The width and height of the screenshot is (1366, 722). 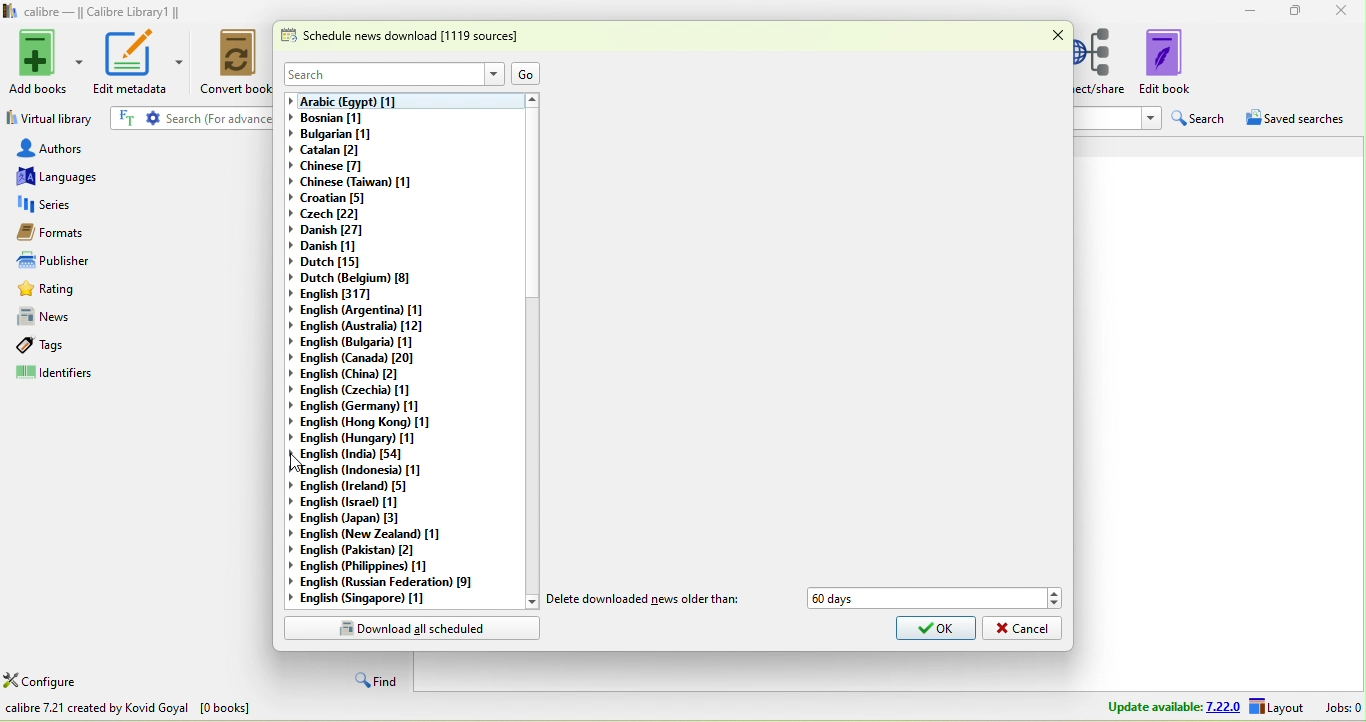 I want to click on update available 7.22.0 layout, so click(x=1166, y=707).